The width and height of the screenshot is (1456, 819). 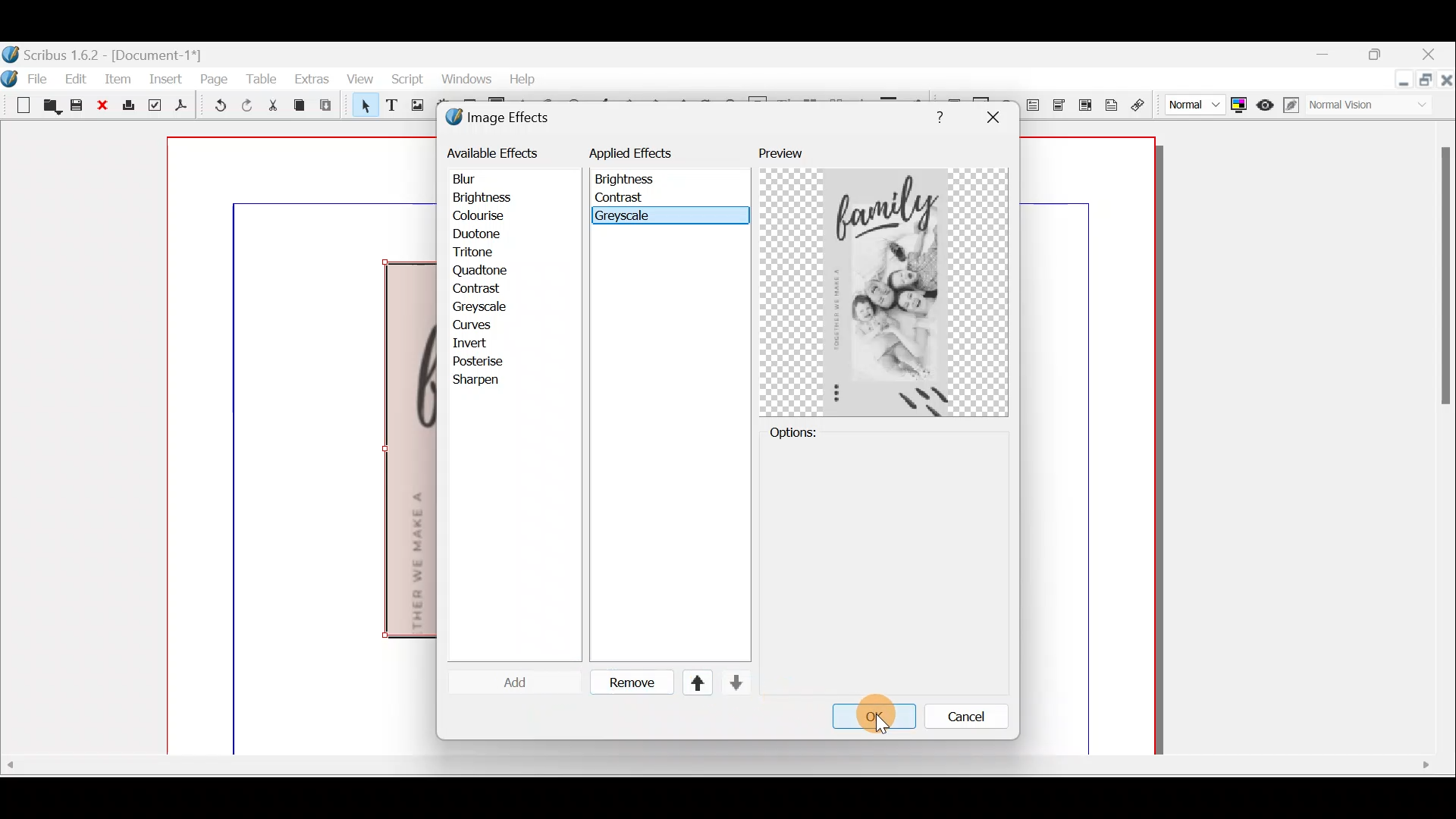 What do you see at coordinates (1238, 106) in the screenshot?
I see `Toggle colour management system` at bounding box center [1238, 106].